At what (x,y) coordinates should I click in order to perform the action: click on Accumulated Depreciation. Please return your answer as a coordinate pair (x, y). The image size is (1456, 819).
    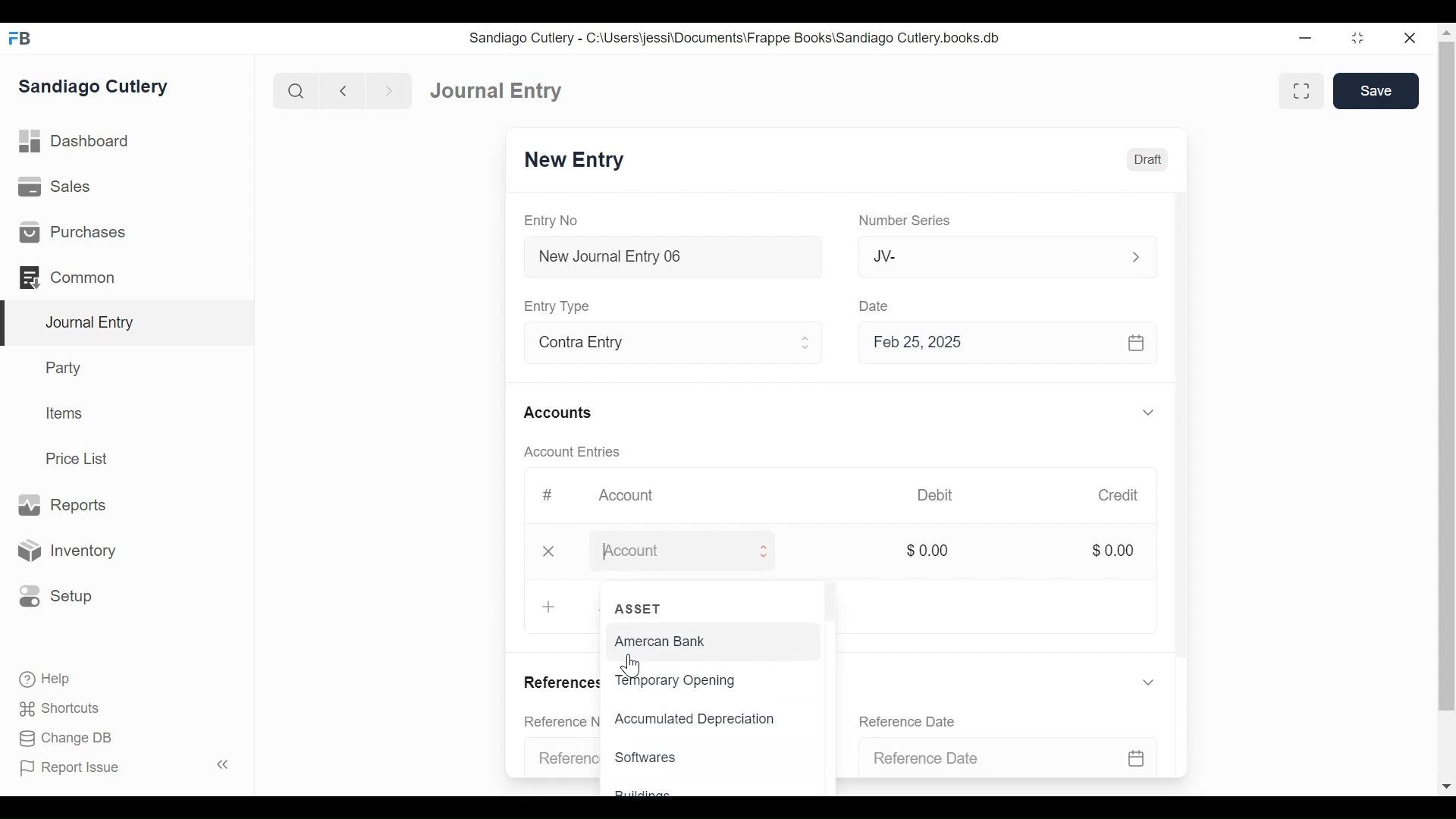
    Looking at the image, I should click on (690, 720).